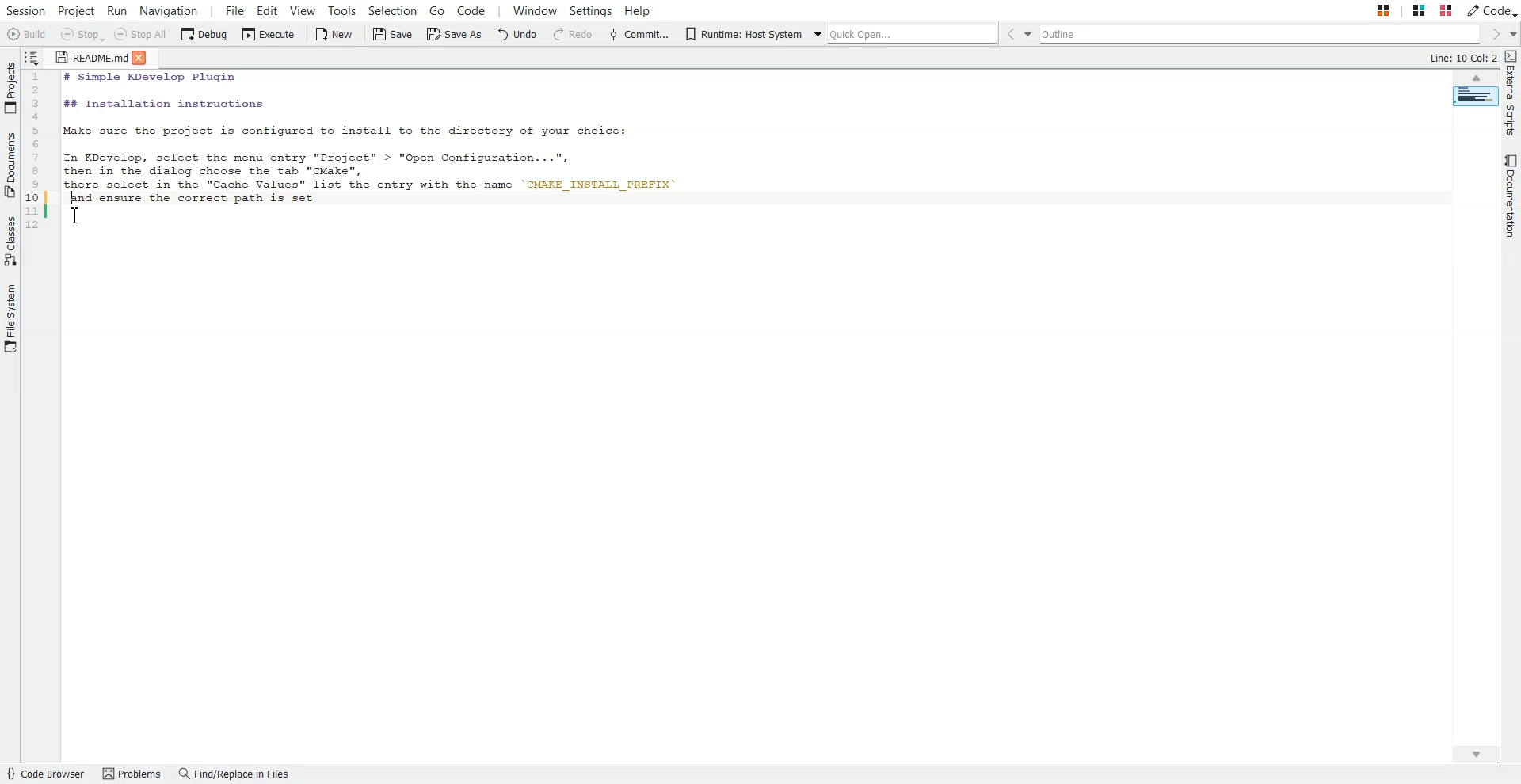 Image resolution: width=1521 pixels, height=784 pixels. I want to click on Selection, so click(394, 10).